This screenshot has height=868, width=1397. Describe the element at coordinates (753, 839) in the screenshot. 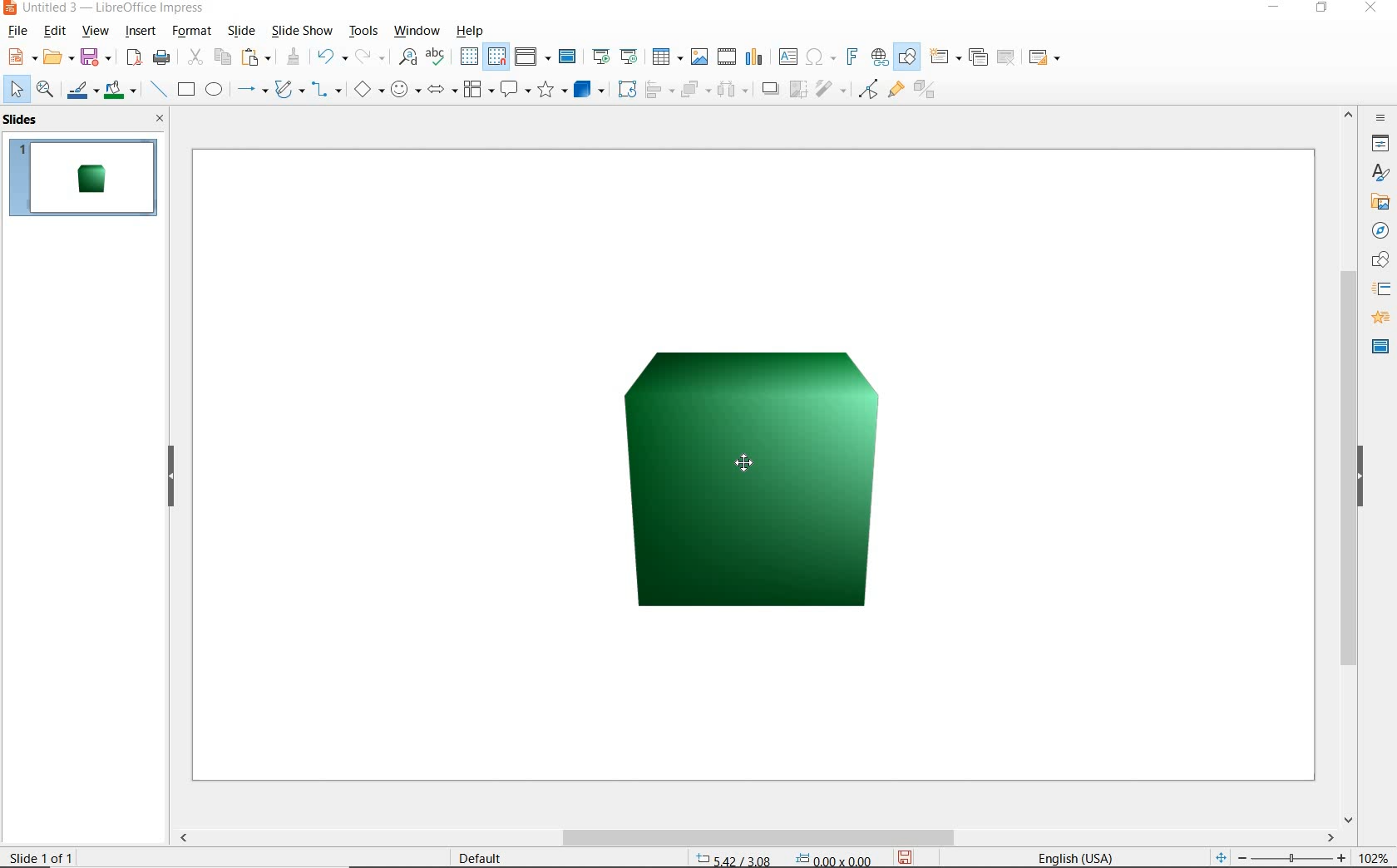

I see `SCROLLBAR` at that location.